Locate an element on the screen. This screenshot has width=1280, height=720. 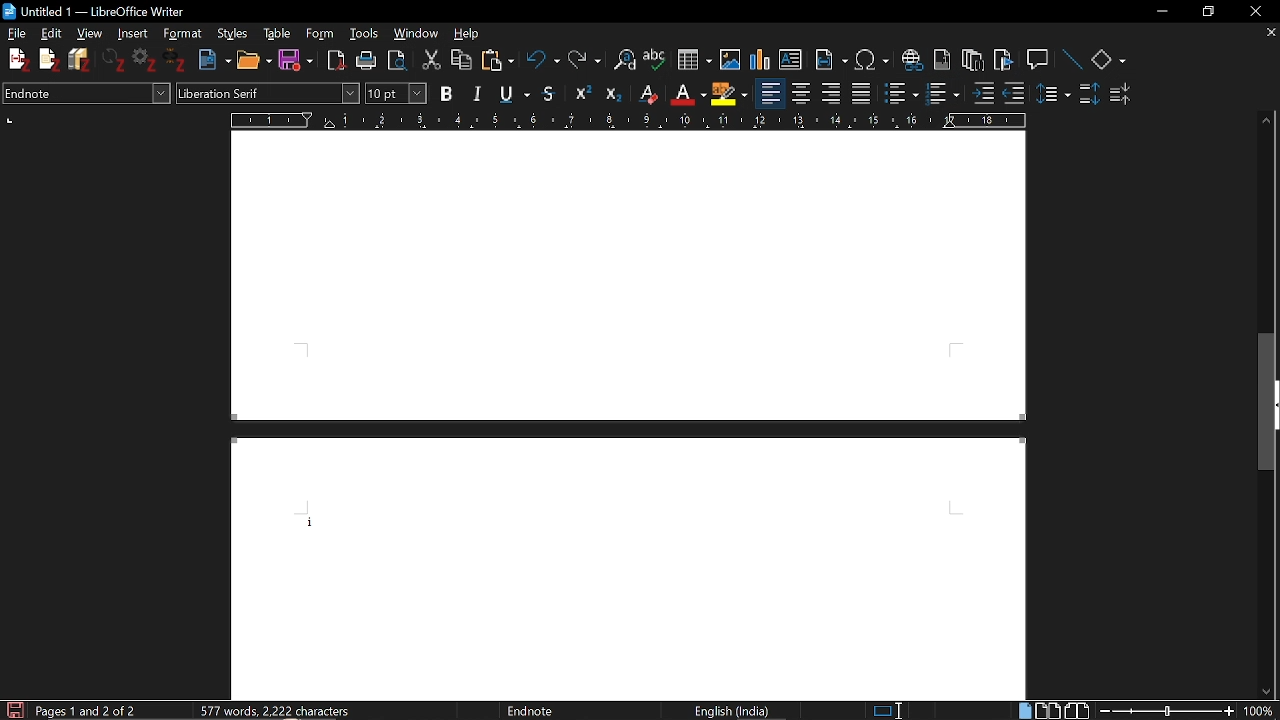
Font size is located at coordinates (396, 93).